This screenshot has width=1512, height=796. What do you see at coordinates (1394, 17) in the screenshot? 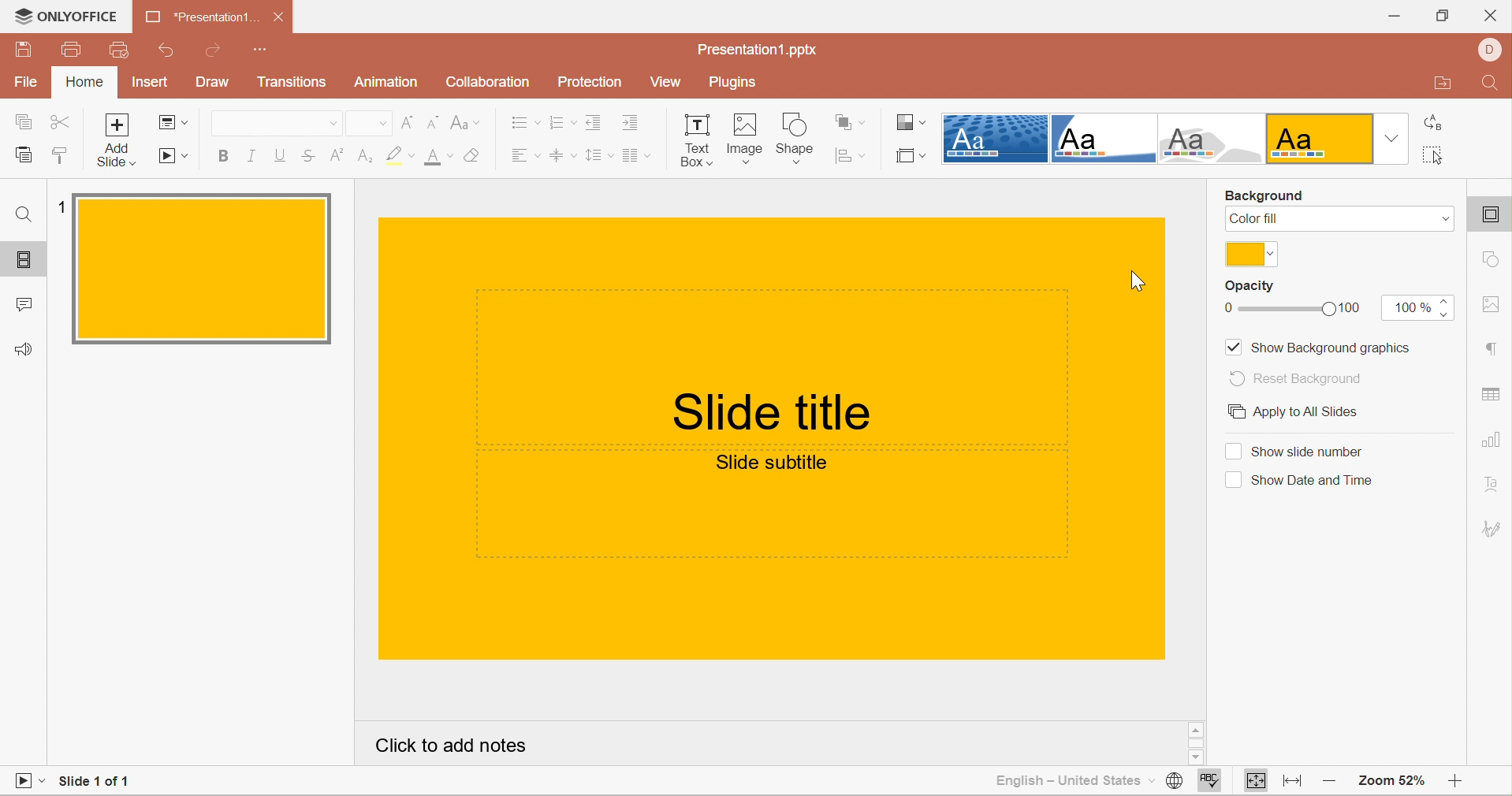
I see `Minimize` at bounding box center [1394, 17].